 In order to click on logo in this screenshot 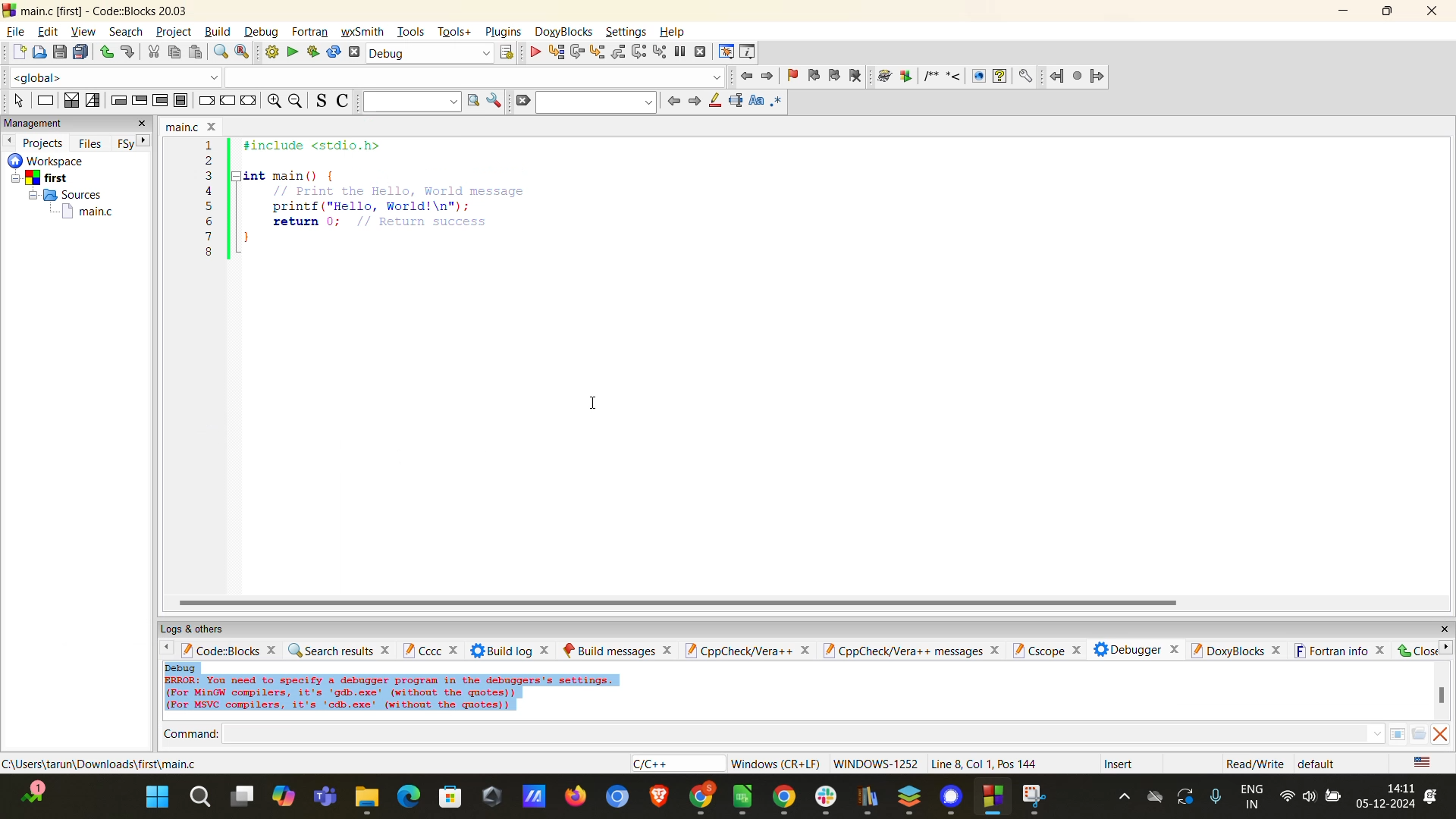, I will do `click(868, 802)`.